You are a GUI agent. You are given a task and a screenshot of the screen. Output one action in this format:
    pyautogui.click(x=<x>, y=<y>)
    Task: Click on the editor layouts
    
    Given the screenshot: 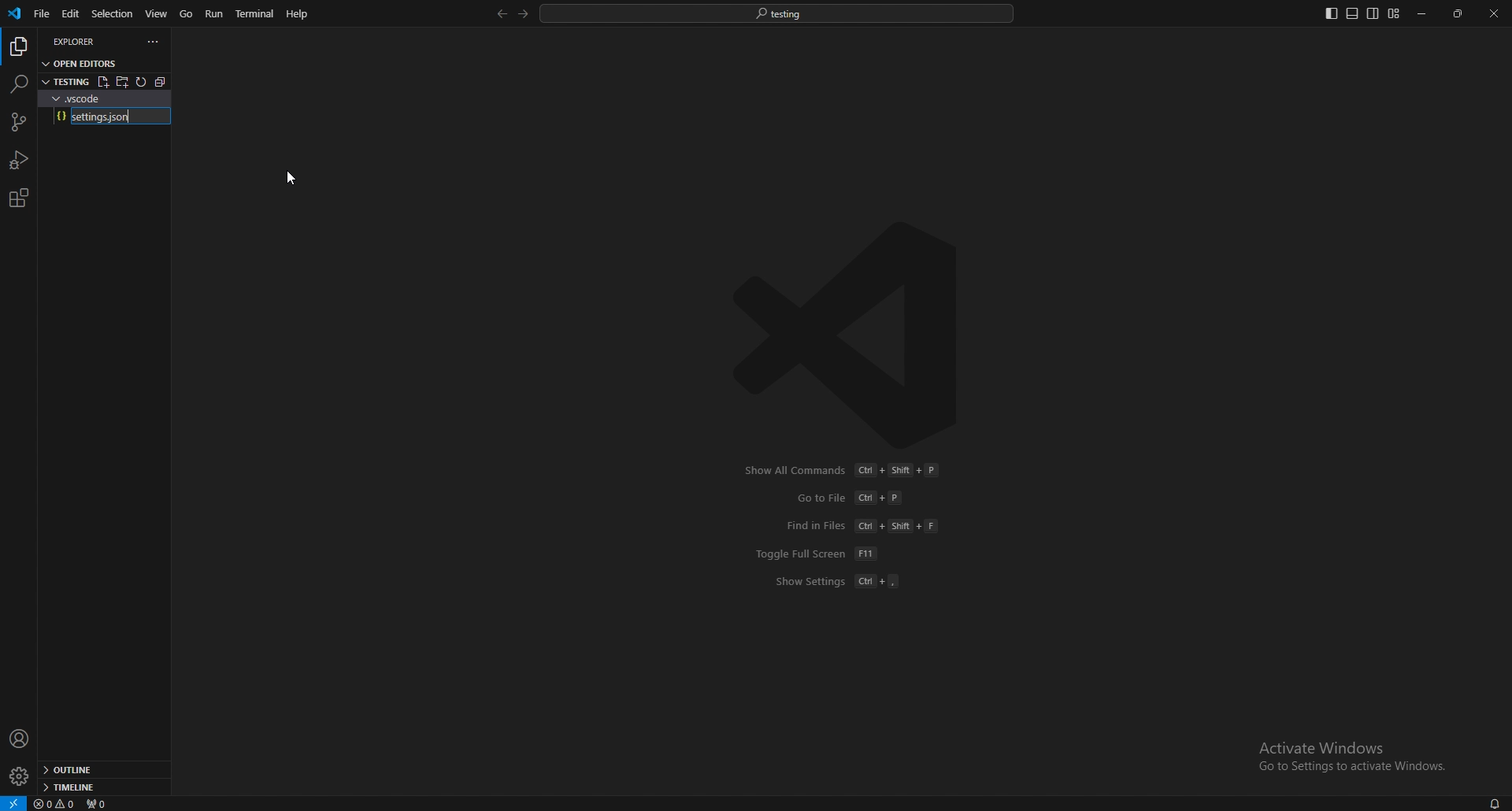 What is the action you would take?
    pyautogui.click(x=1362, y=13)
    